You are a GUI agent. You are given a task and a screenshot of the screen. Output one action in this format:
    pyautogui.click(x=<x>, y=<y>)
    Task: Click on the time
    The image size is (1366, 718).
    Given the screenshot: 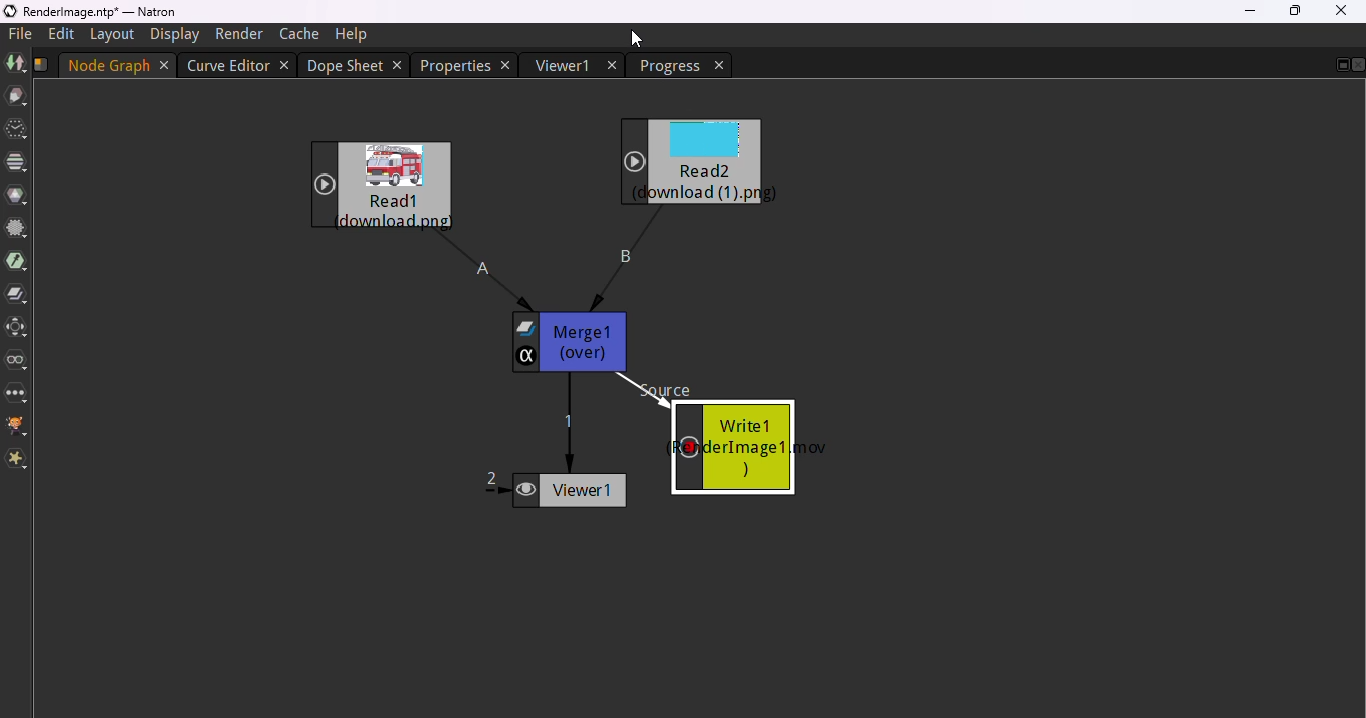 What is the action you would take?
    pyautogui.click(x=16, y=130)
    